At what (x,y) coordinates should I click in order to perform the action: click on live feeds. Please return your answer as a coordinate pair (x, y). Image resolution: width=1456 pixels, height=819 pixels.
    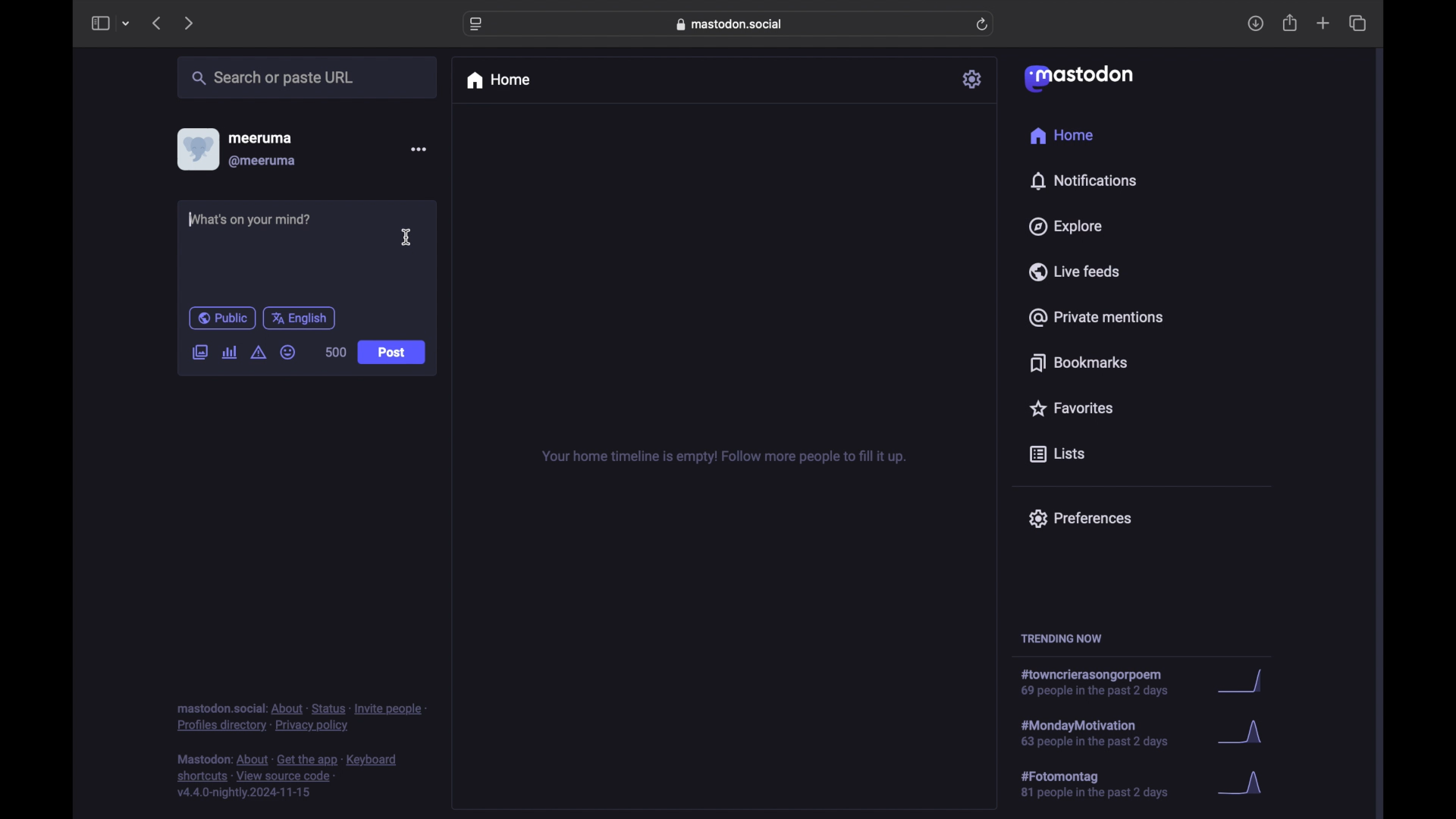
    Looking at the image, I should click on (1075, 271).